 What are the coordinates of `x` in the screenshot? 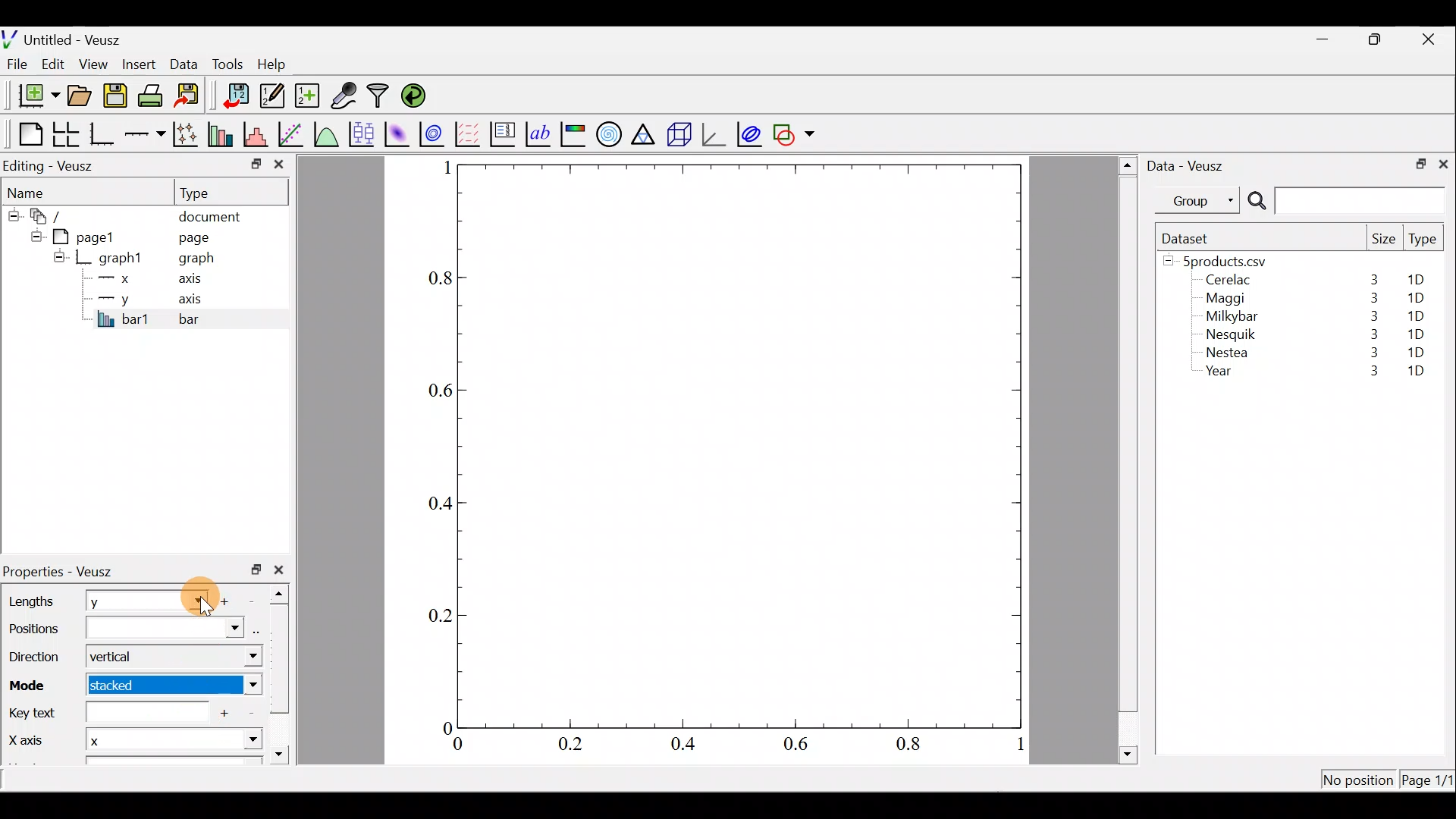 It's located at (126, 742).